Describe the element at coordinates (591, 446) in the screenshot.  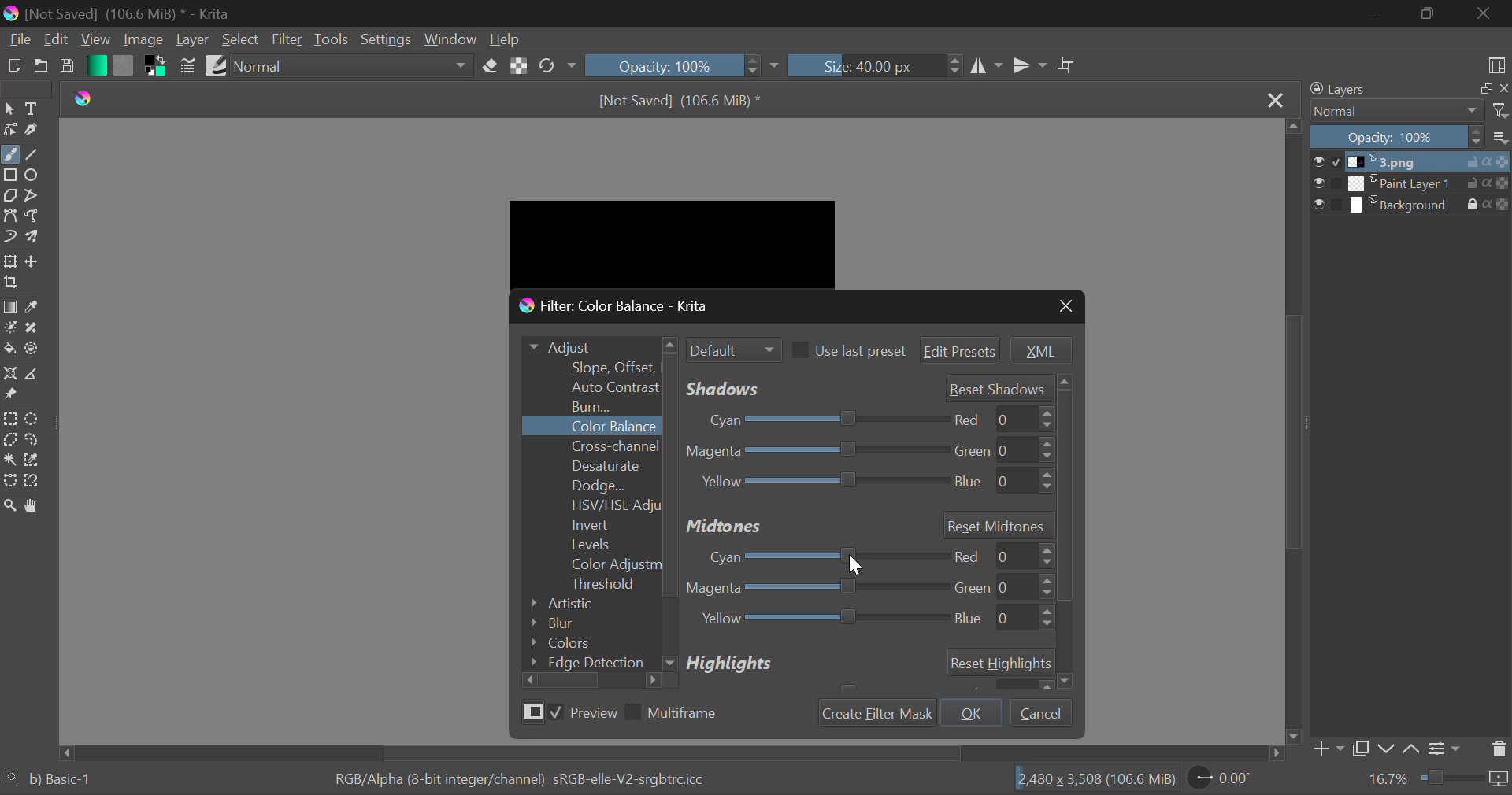
I see `Cross-channel` at that location.